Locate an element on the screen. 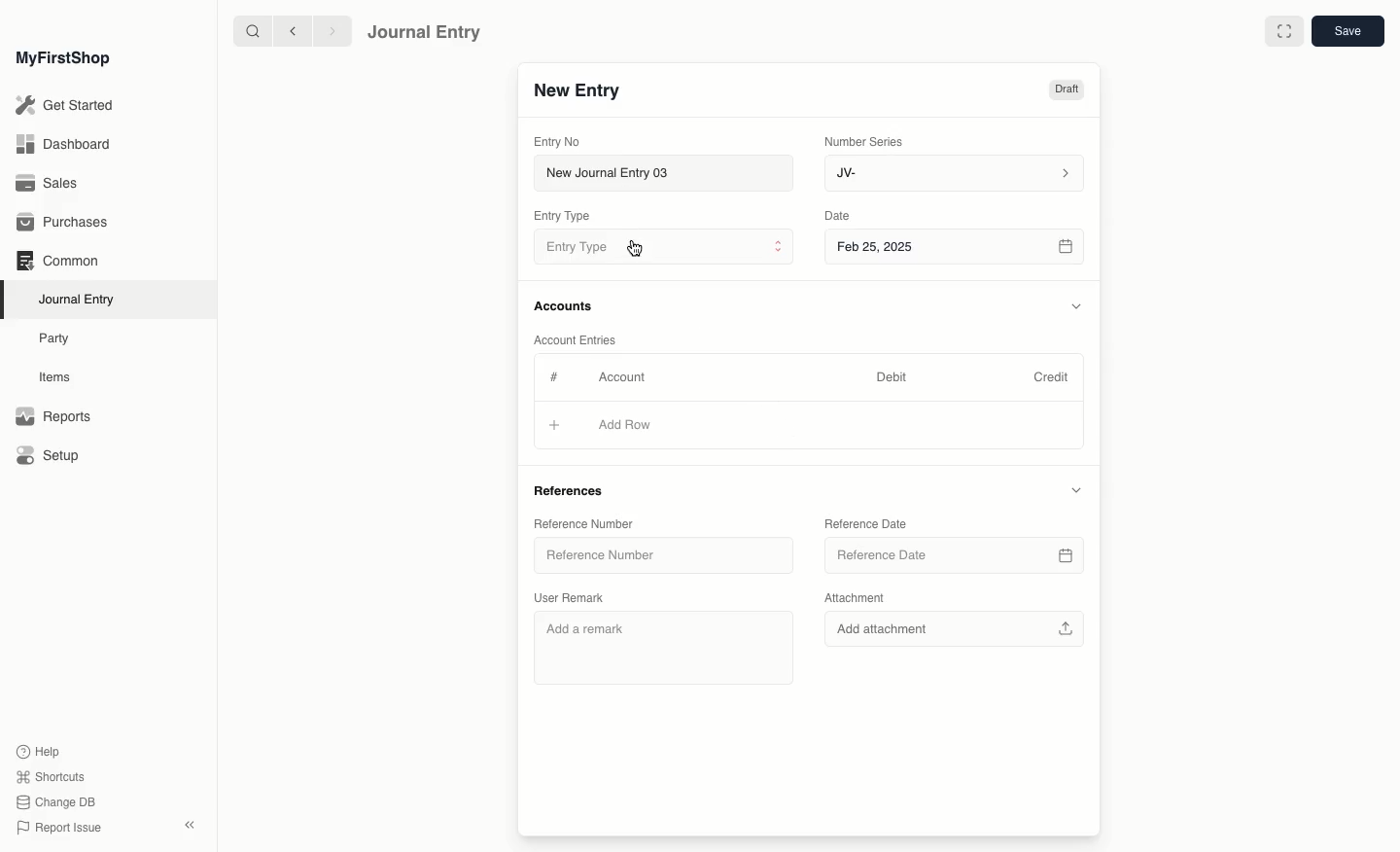  Add Row is located at coordinates (623, 424).